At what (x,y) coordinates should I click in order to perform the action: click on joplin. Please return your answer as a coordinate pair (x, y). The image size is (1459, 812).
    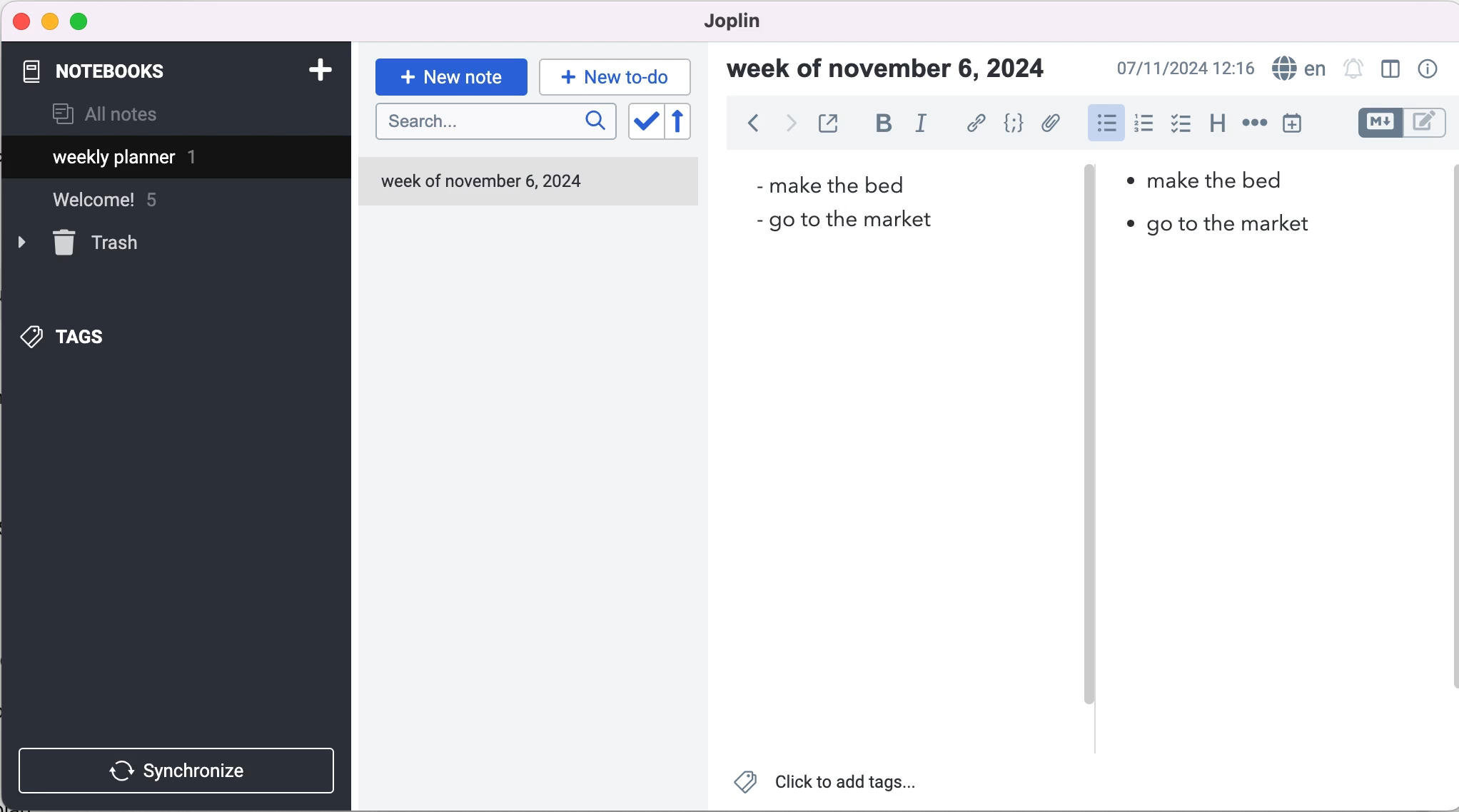
    Looking at the image, I should click on (754, 21).